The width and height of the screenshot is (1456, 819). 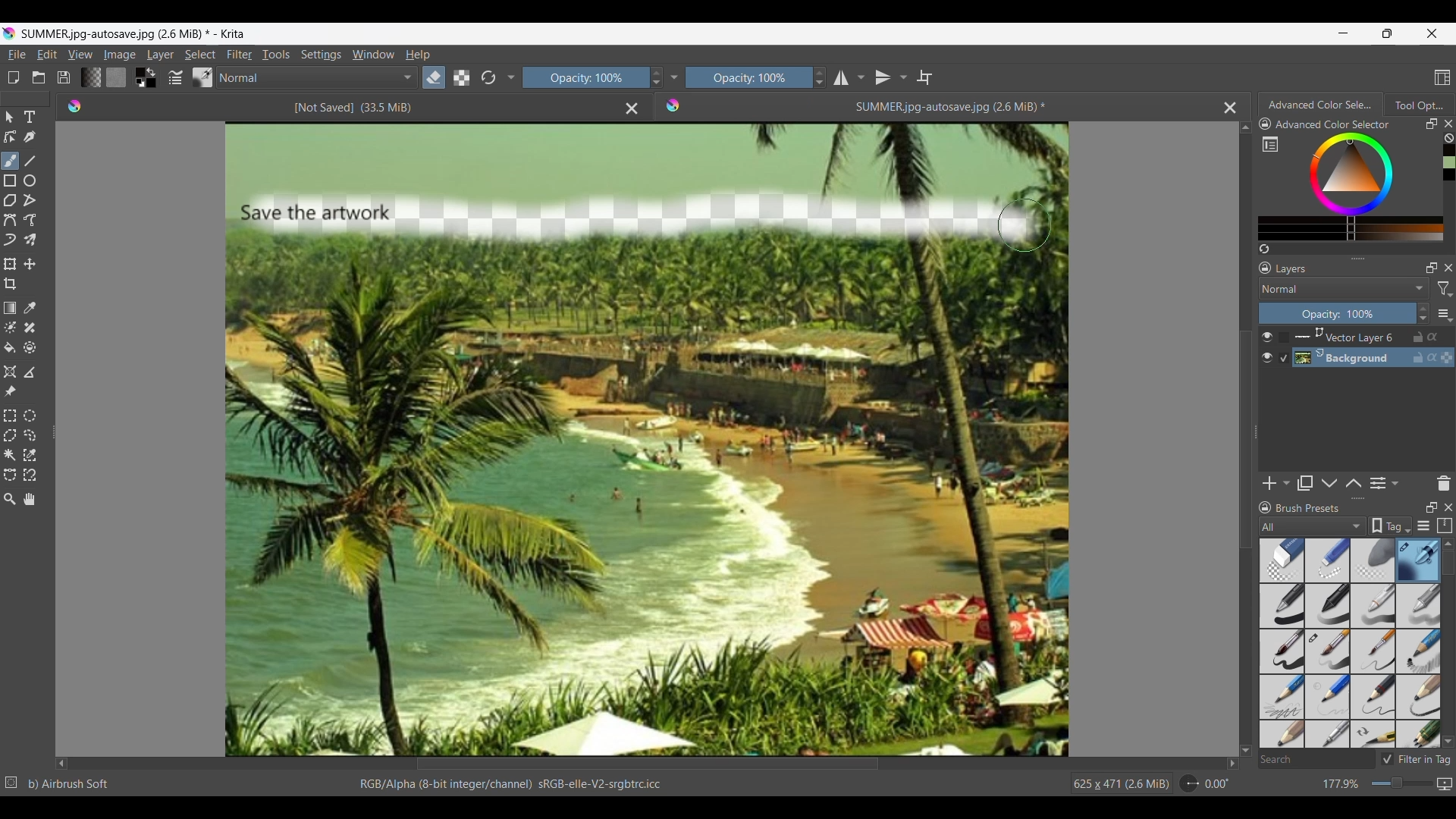 What do you see at coordinates (30, 137) in the screenshot?
I see `Calligraphy` at bounding box center [30, 137].